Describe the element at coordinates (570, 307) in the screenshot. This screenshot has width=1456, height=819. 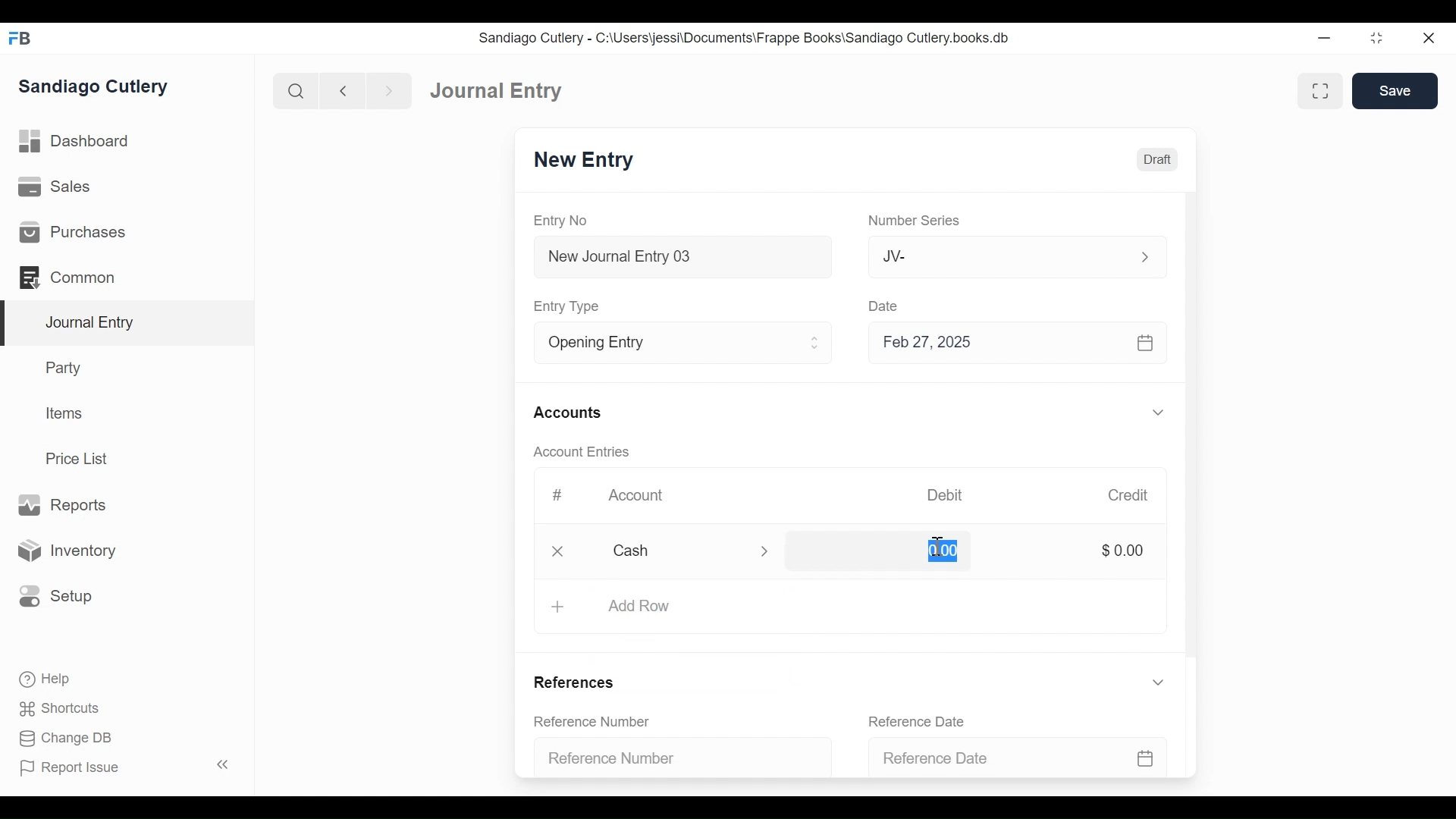
I see `Entry Type` at that location.